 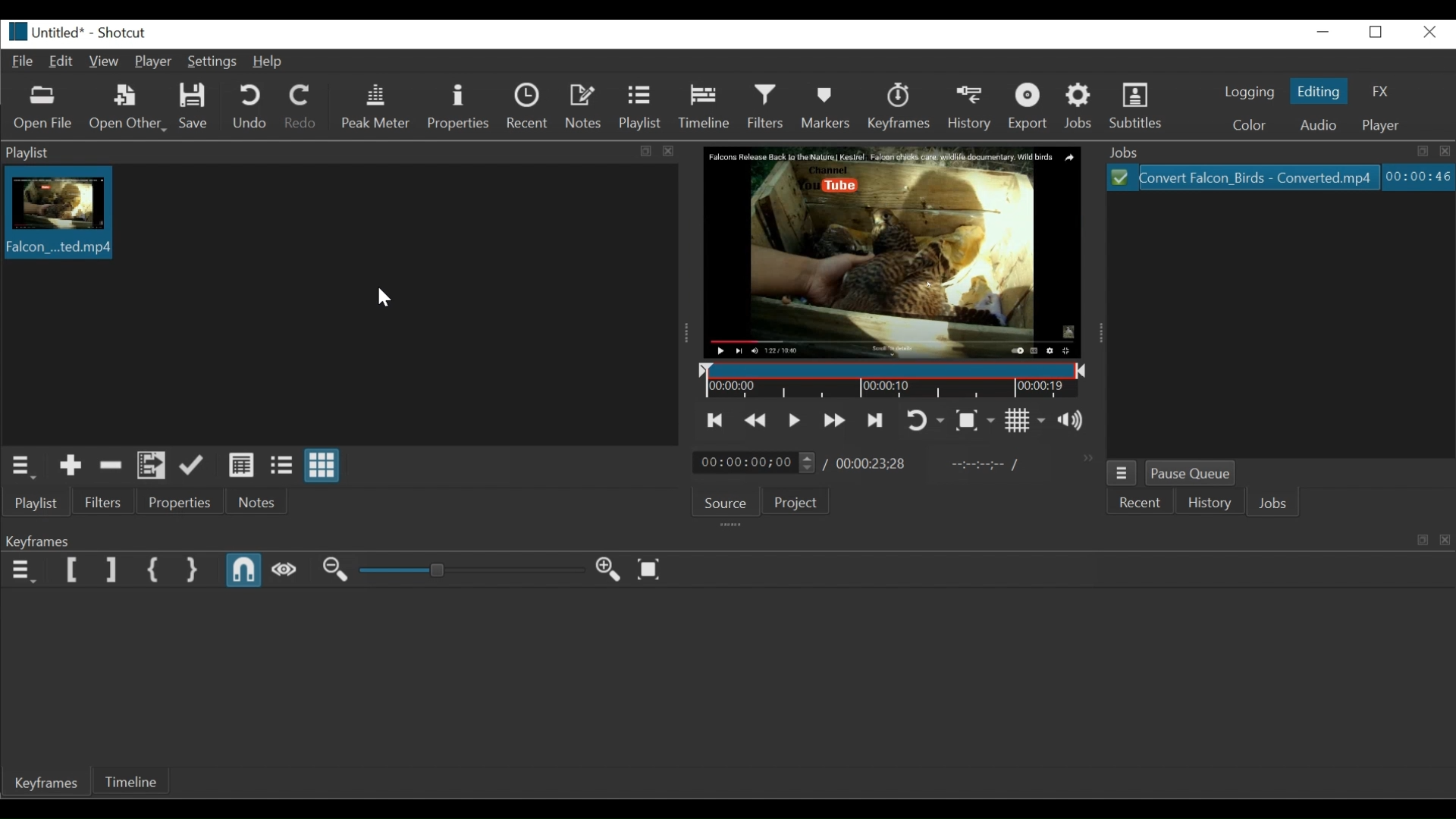 What do you see at coordinates (1191, 473) in the screenshot?
I see `Pause Queue` at bounding box center [1191, 473].